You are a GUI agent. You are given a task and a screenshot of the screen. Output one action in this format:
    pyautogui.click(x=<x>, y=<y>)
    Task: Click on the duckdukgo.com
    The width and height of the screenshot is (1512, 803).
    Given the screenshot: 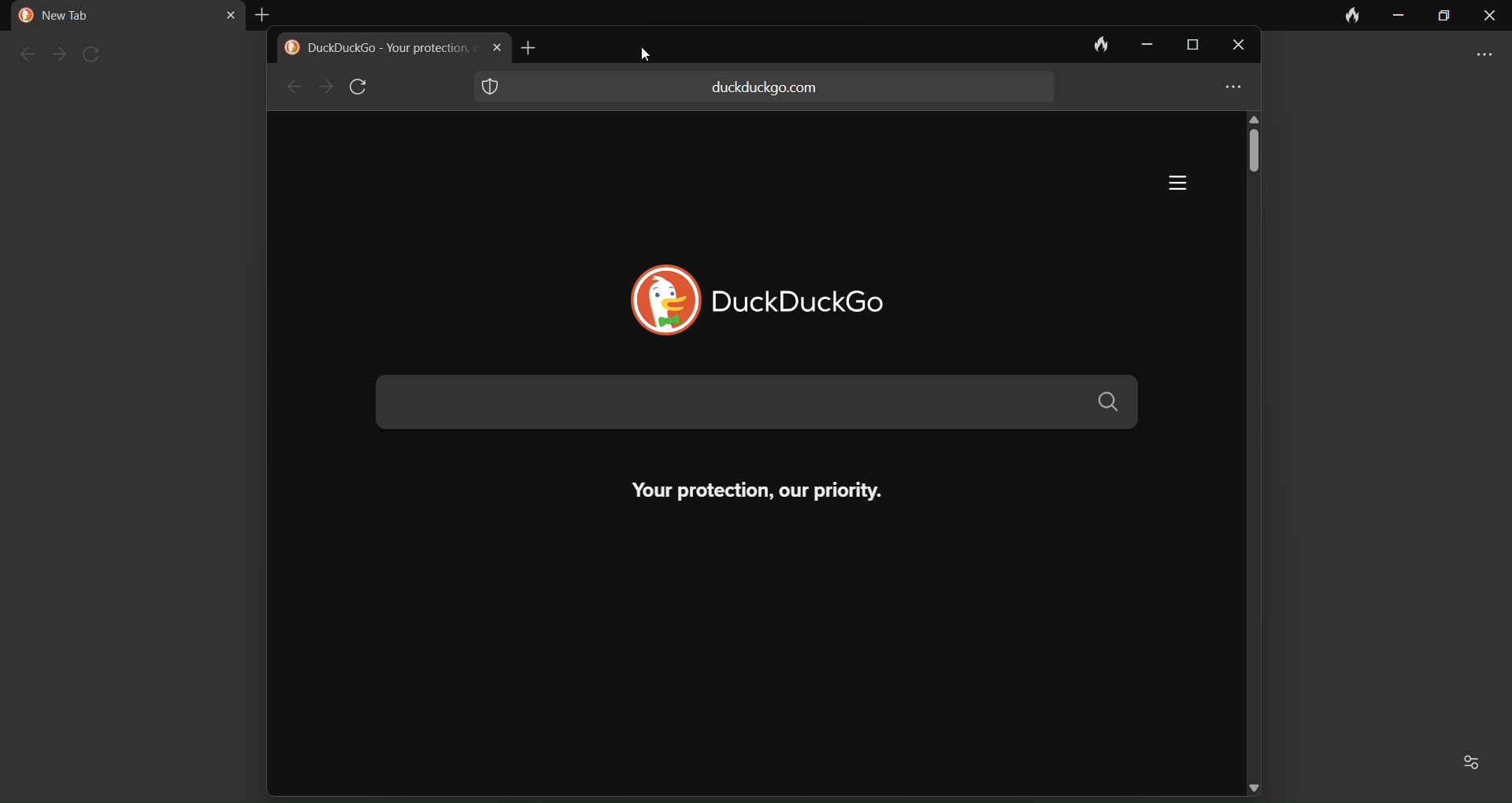 What is the action you would take?
    pyautogui.click(x=765, y=87)
    